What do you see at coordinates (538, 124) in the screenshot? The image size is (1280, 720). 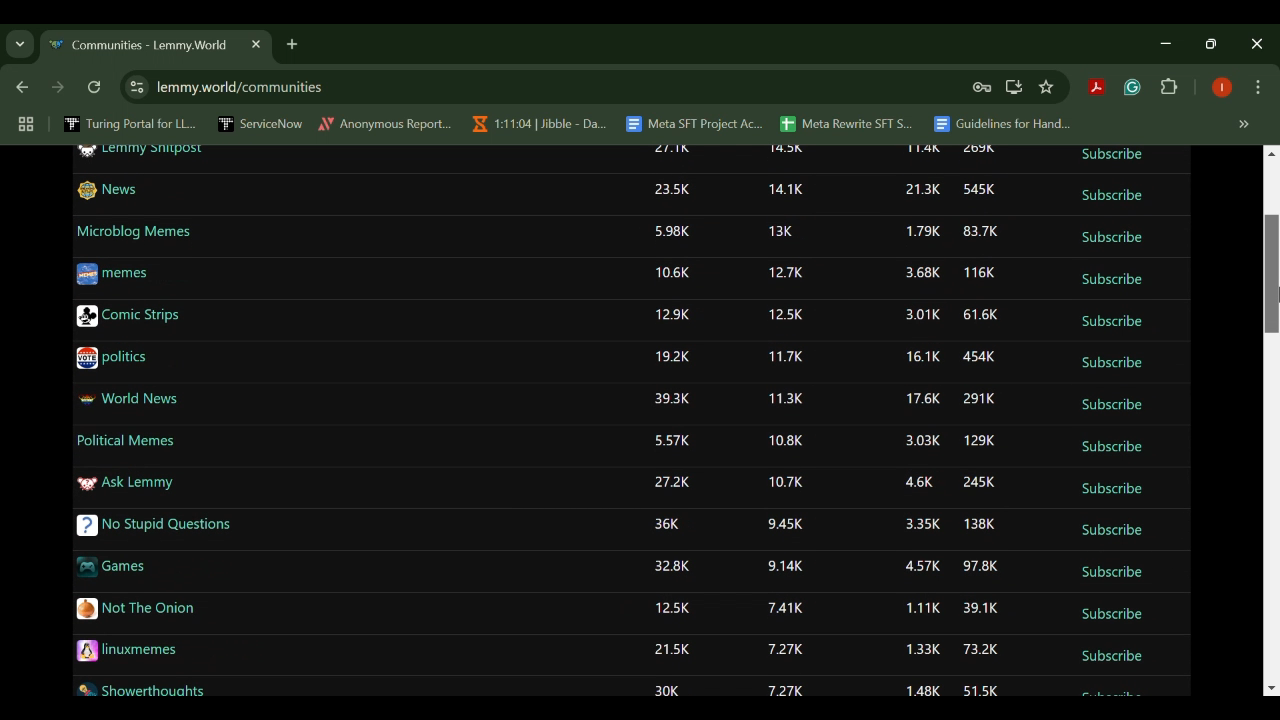 I see `1:11:04 | Jibble - Da...` at bounding box center [538, 124].